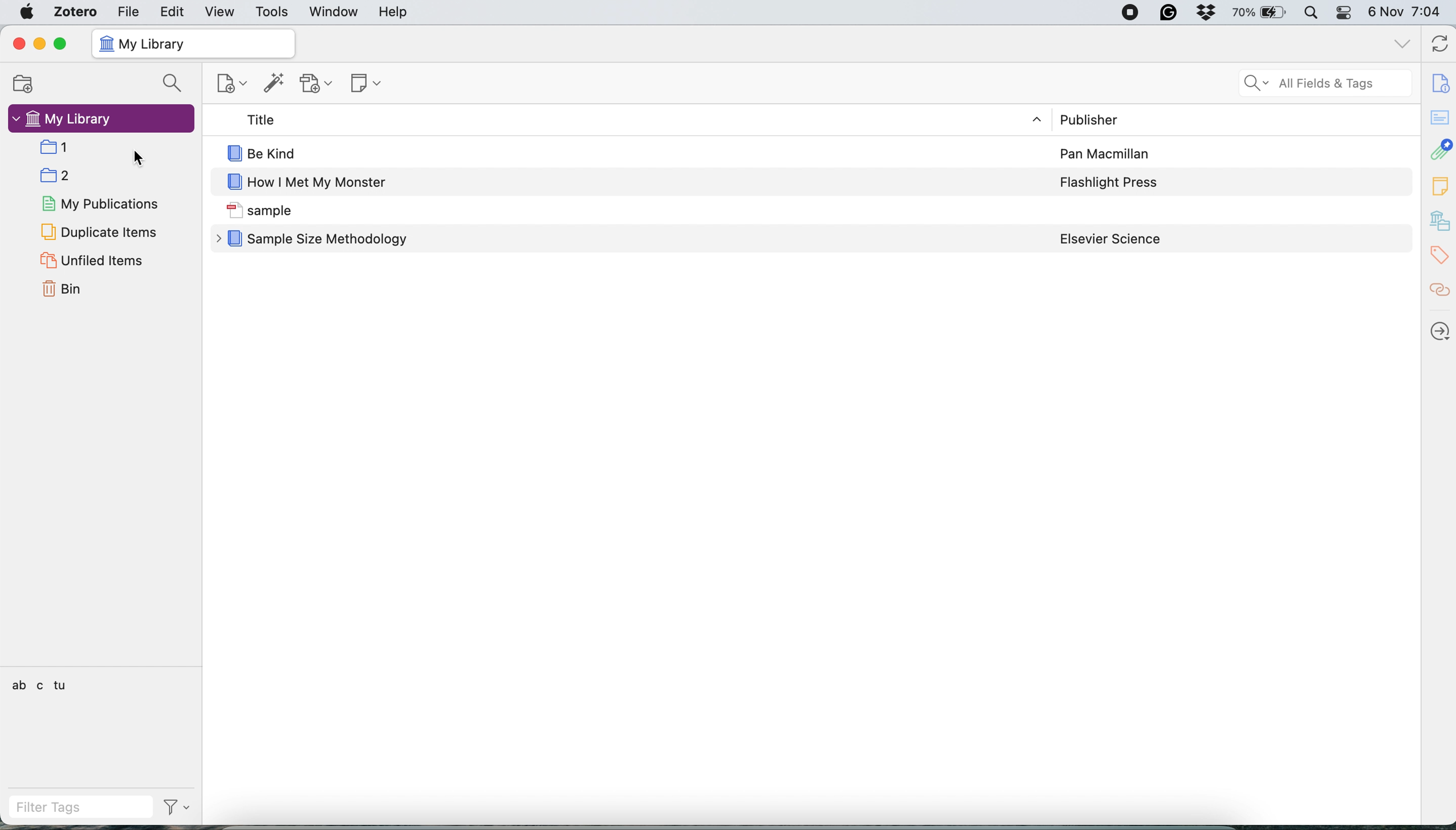  What do you see at coordinates (221, 11) in the screenshot?
I see `view` at bounding box center [221, 11].